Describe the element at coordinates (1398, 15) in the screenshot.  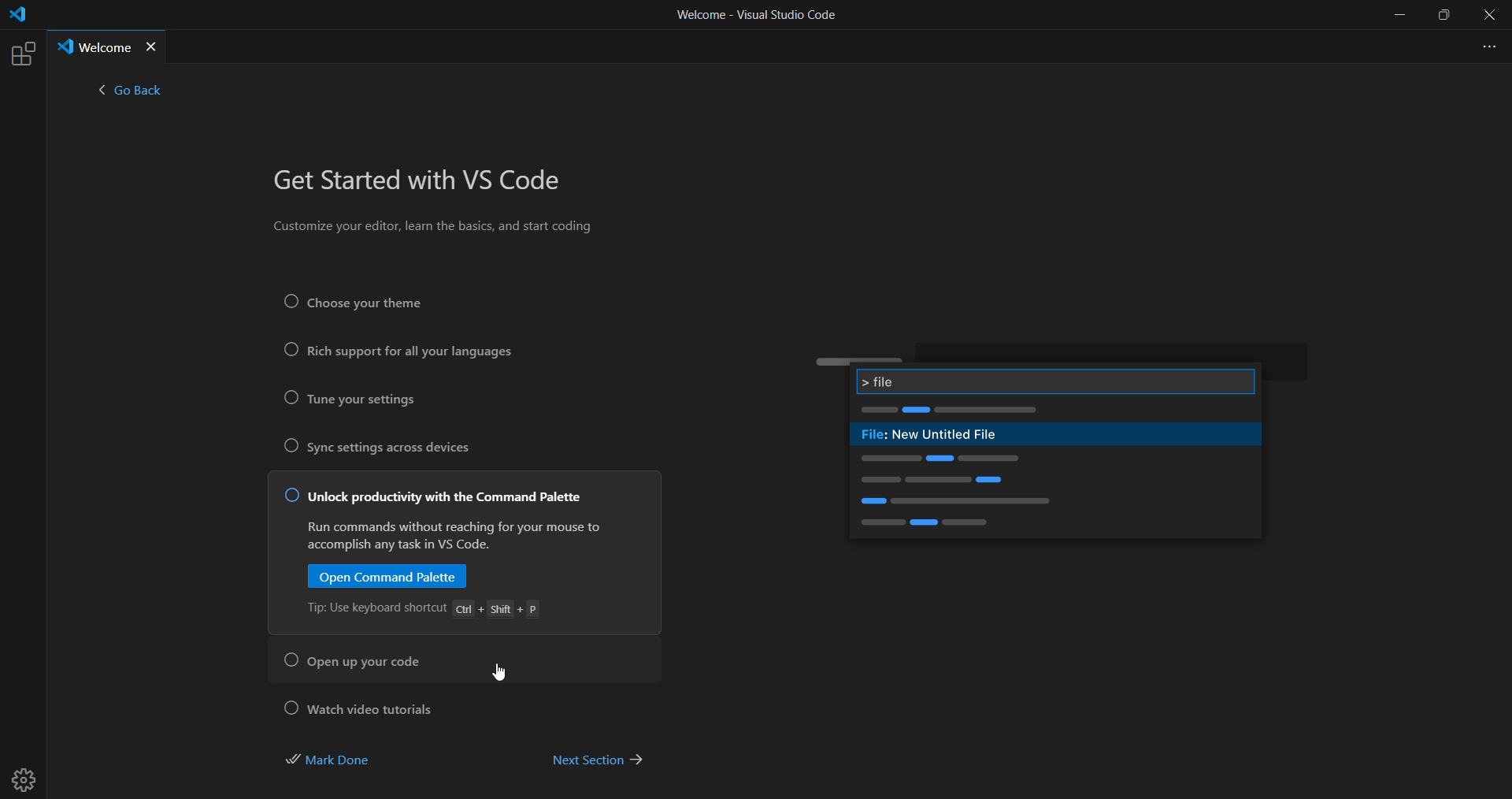
I see `minimize` at that location.